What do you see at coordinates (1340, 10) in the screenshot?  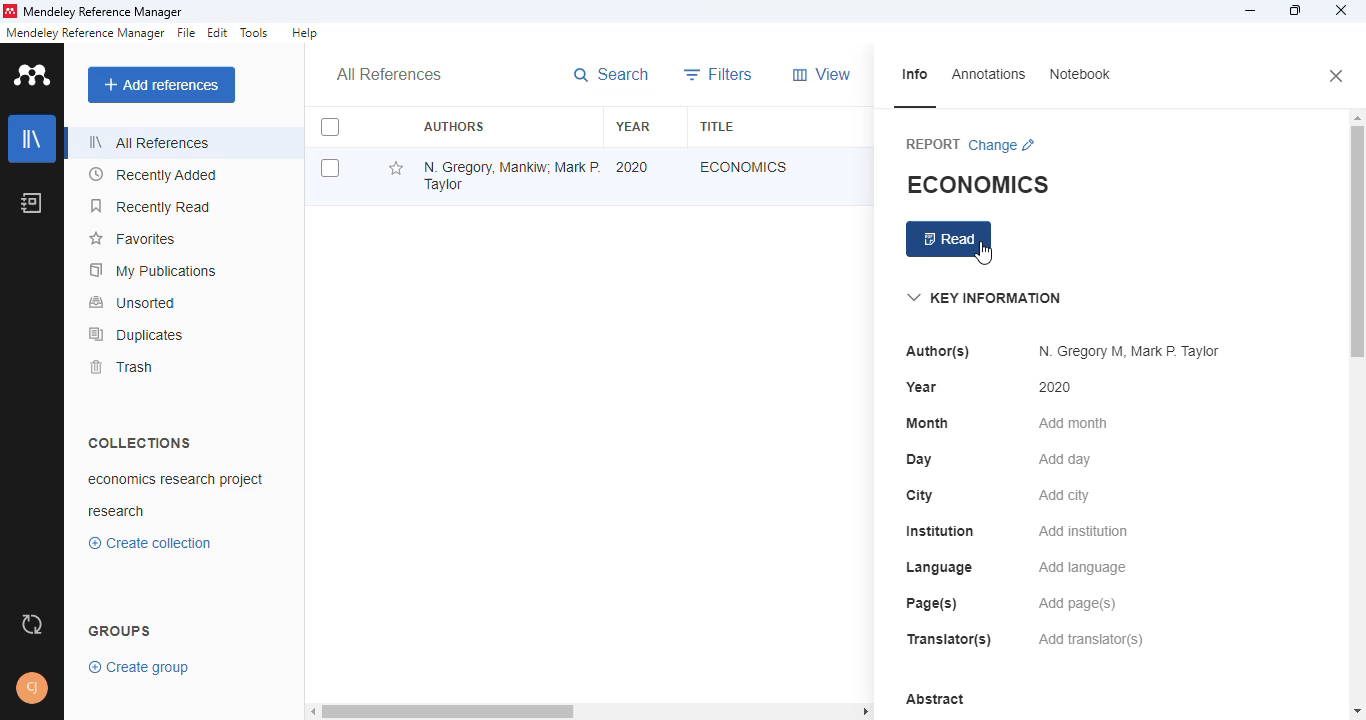 I see `close` at bounding box center [1340, 10].